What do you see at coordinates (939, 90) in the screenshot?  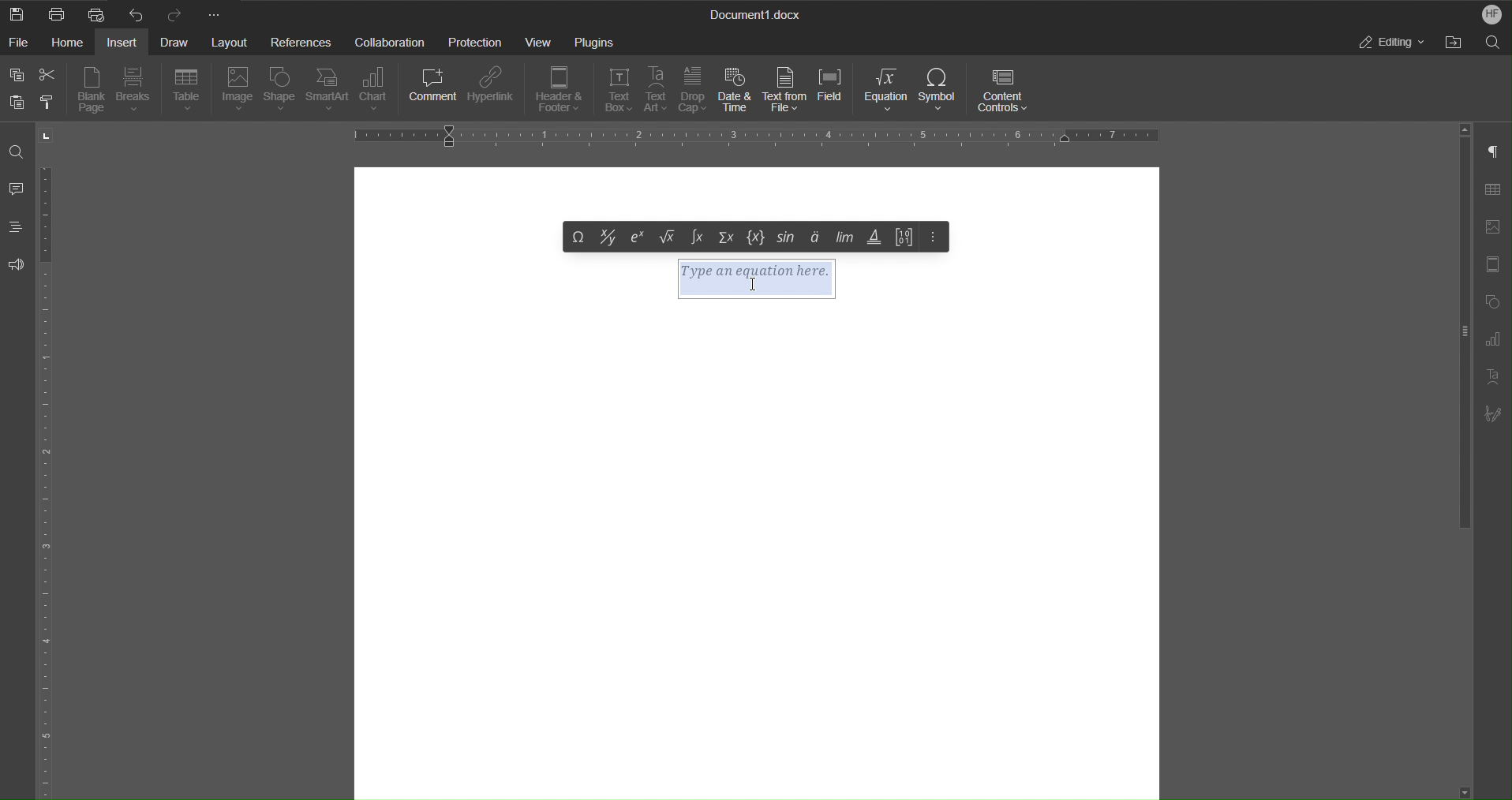 I see `Symbol` at bounding box center [939, 90].